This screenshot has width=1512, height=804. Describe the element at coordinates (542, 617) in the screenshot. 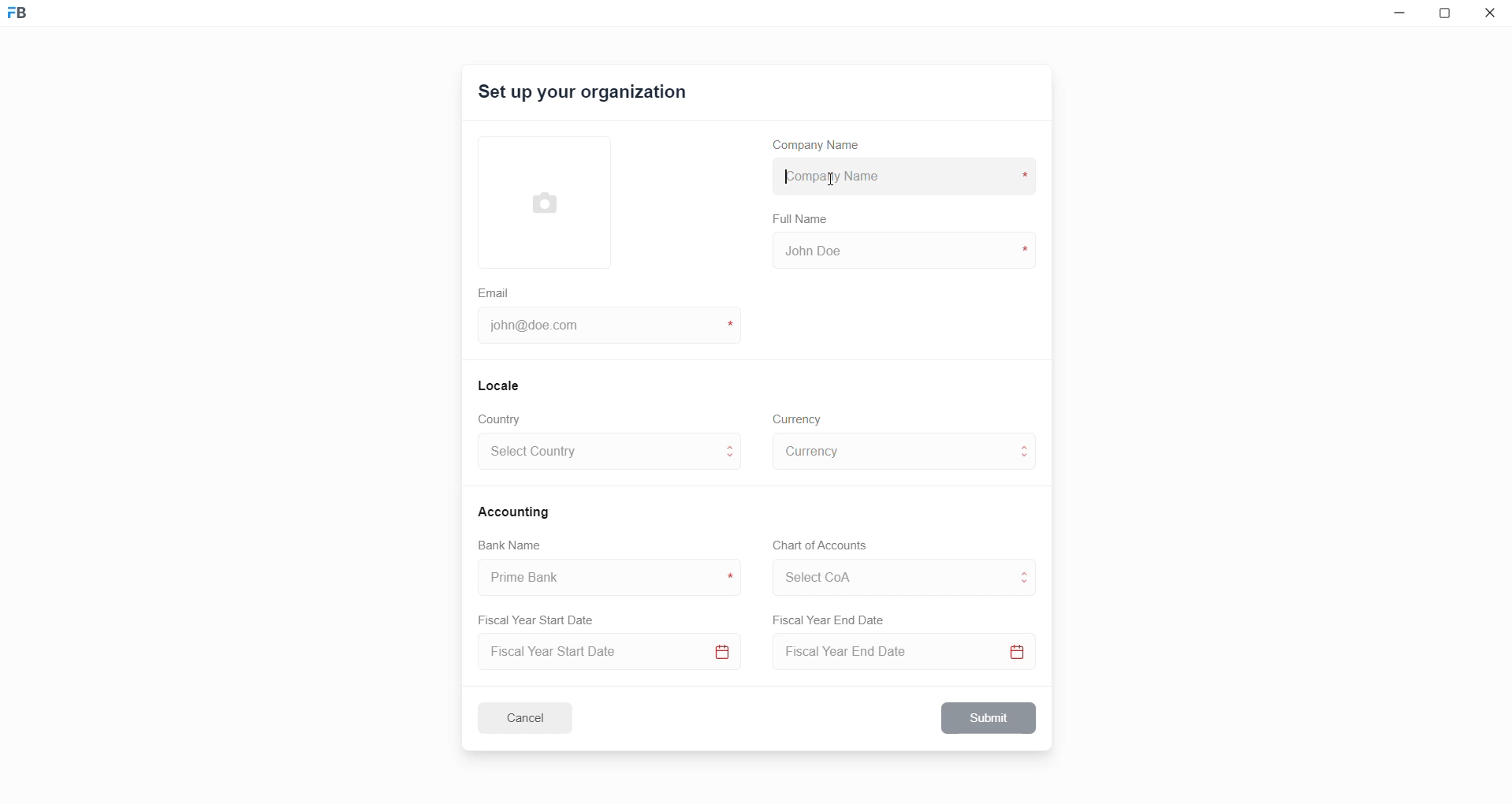

I see `Fiscal Year Start Date` at that location.